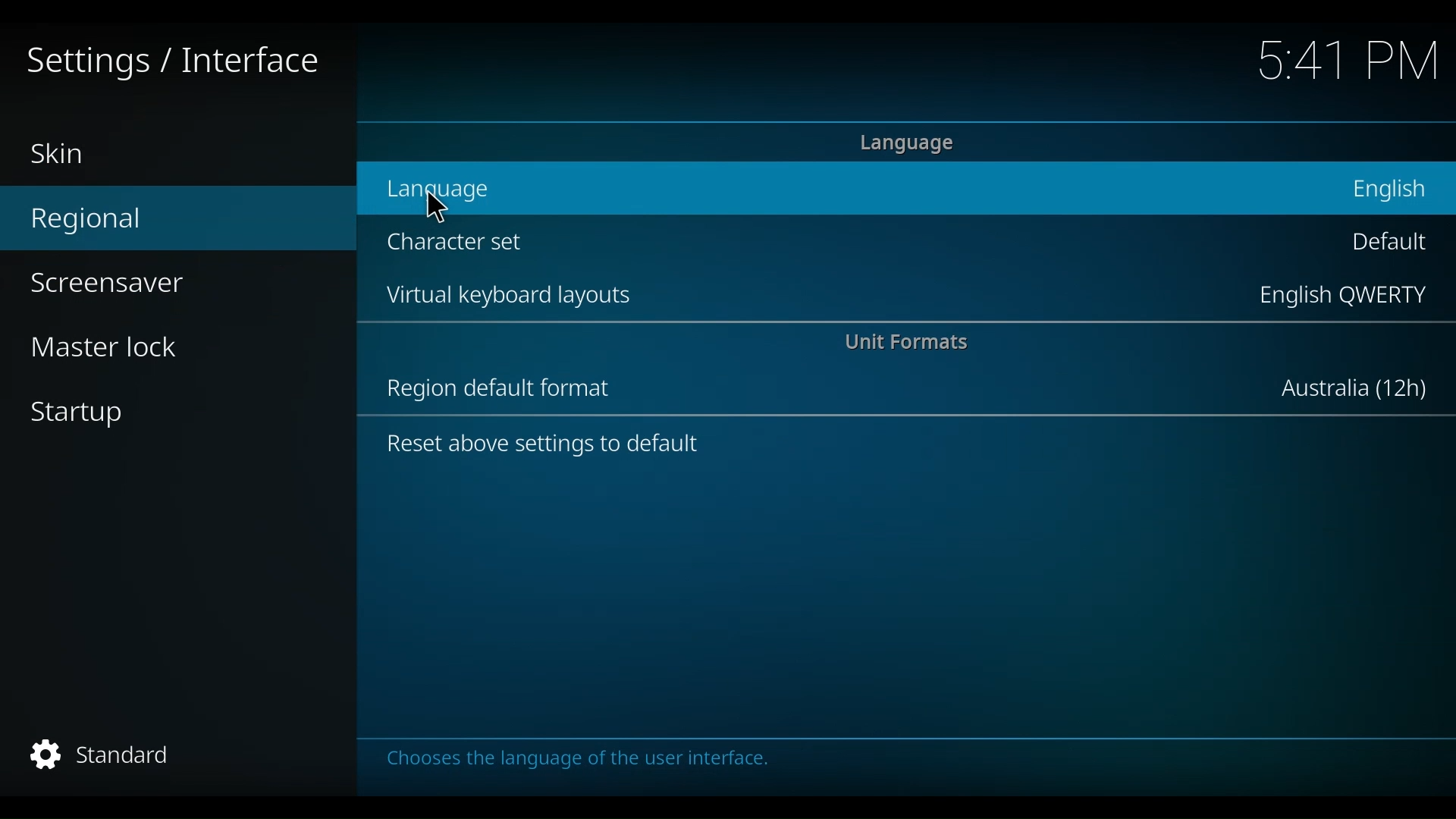  I want to click on Startup, so click(84, 416).